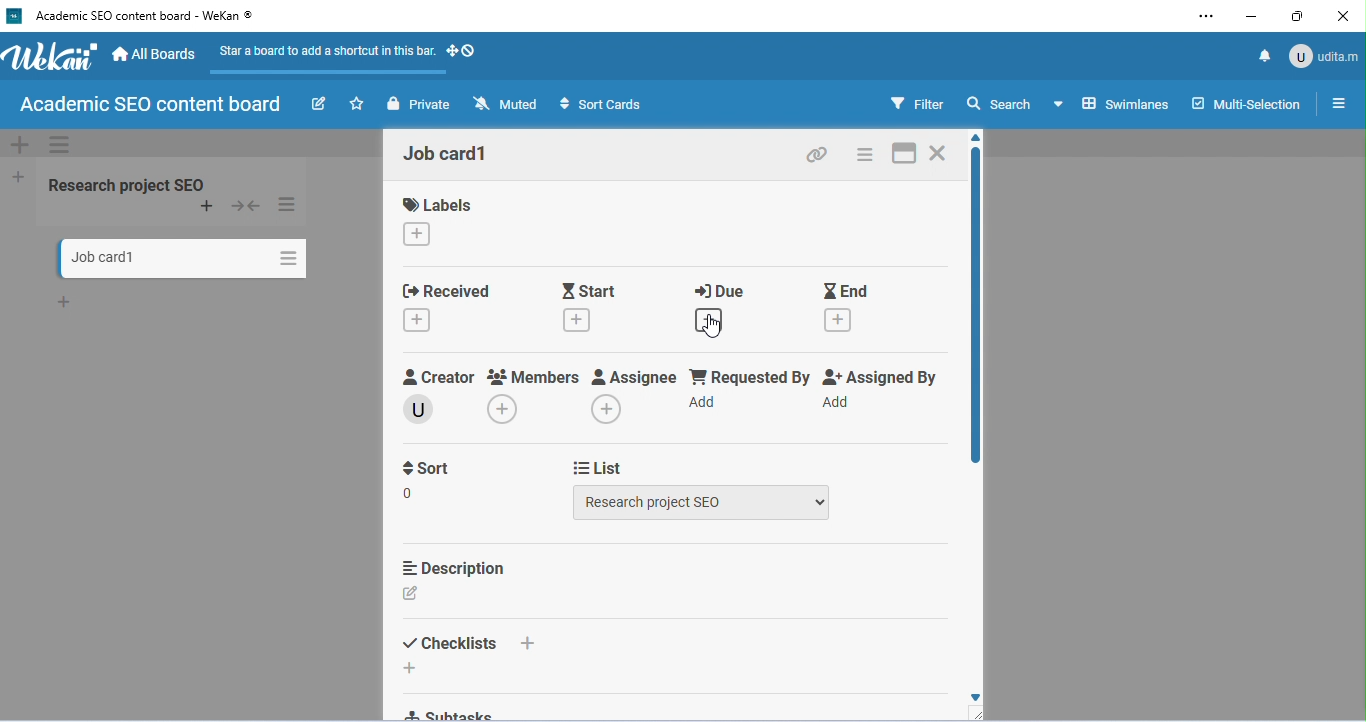 Image resolution: width=1366 pixels, height=722 pixels. What do you see at coordinates (973, 309) in the screenshot?
I see `vertical scroll bar` at bounding box center [973, 309].